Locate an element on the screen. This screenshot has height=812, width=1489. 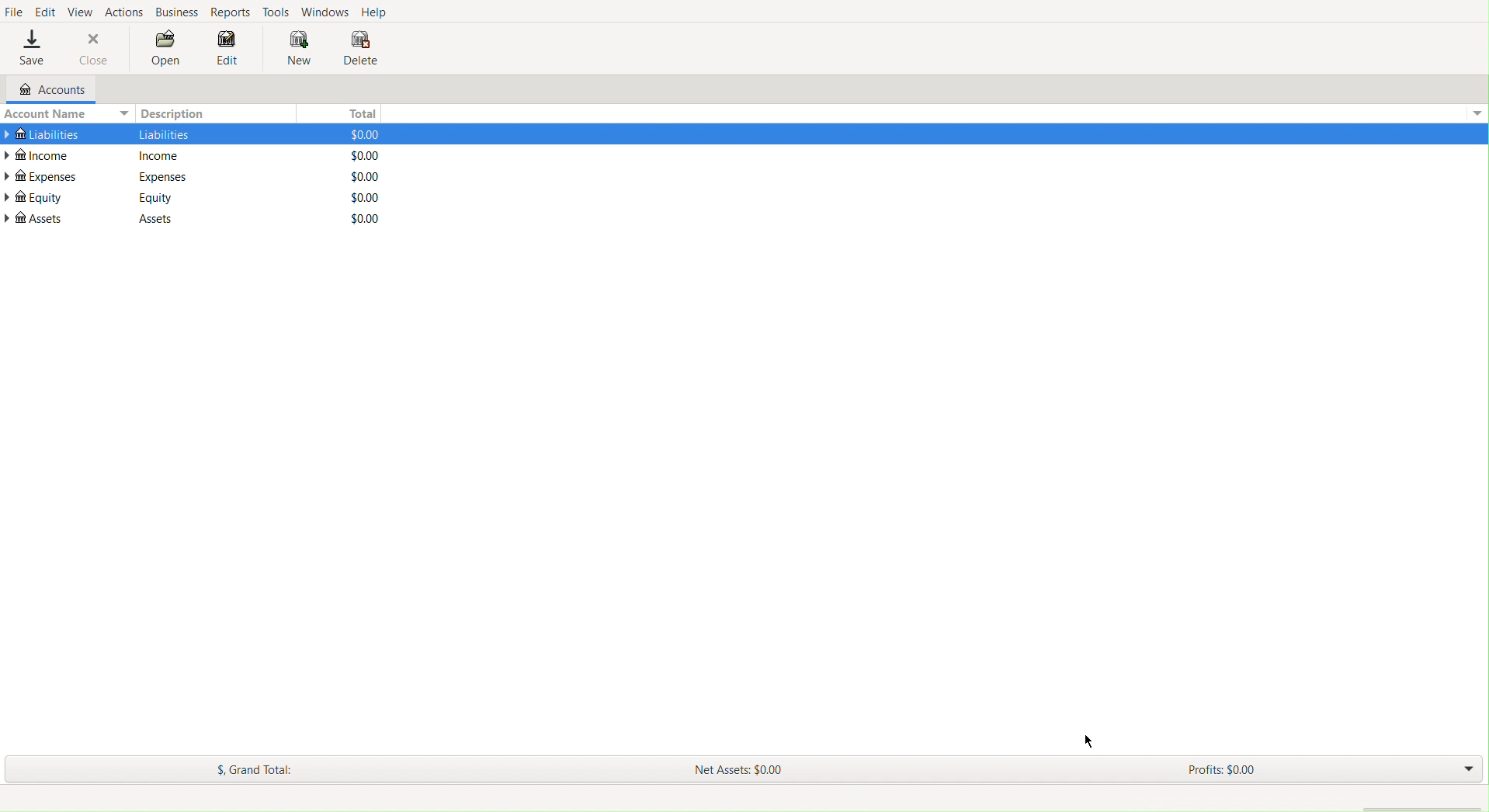
Open is located at coordinates (166, 50).